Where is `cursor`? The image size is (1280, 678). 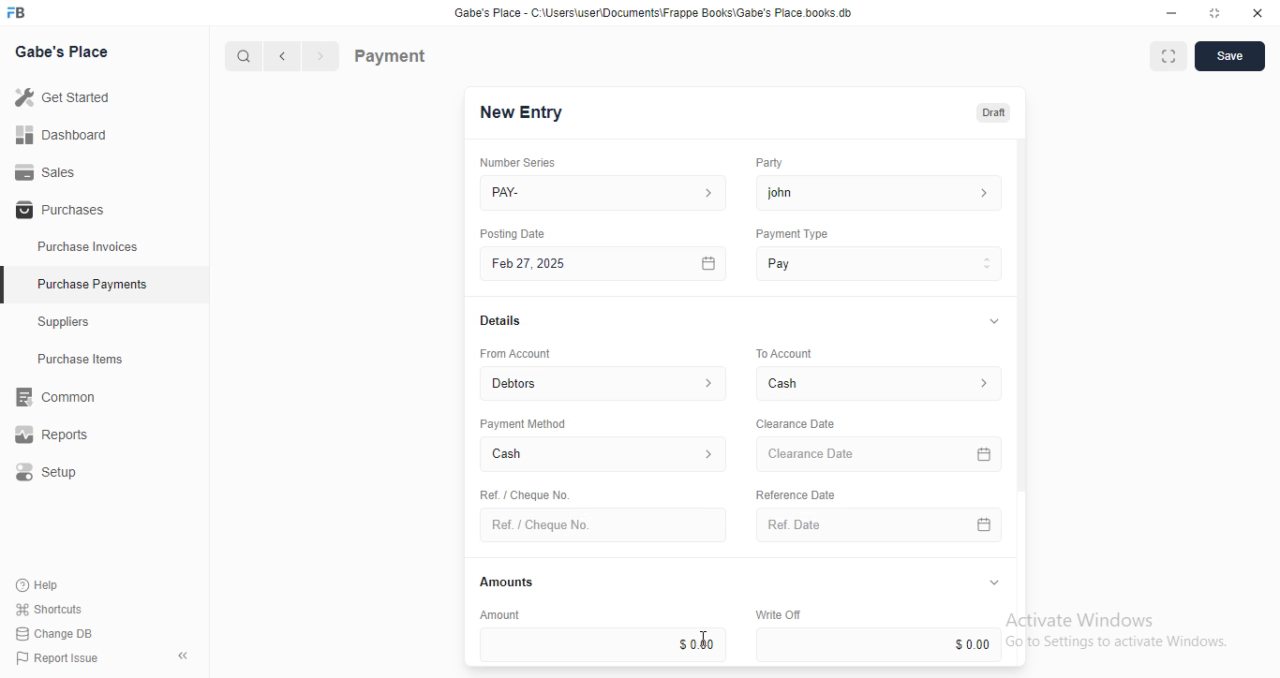 cursor is located at coordinates (708, 639).